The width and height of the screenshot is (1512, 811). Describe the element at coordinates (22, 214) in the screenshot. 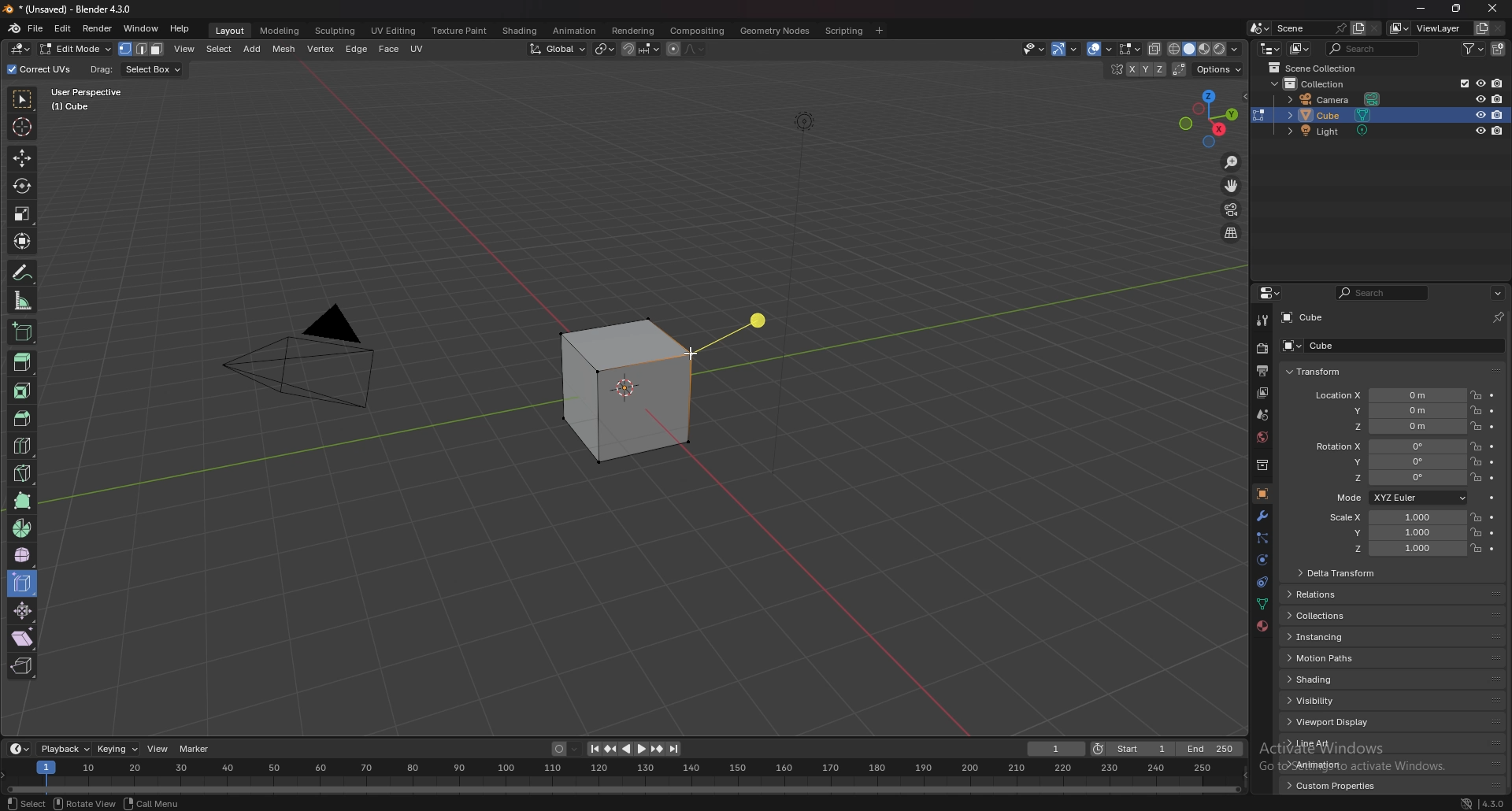

I see `scale` at that location.